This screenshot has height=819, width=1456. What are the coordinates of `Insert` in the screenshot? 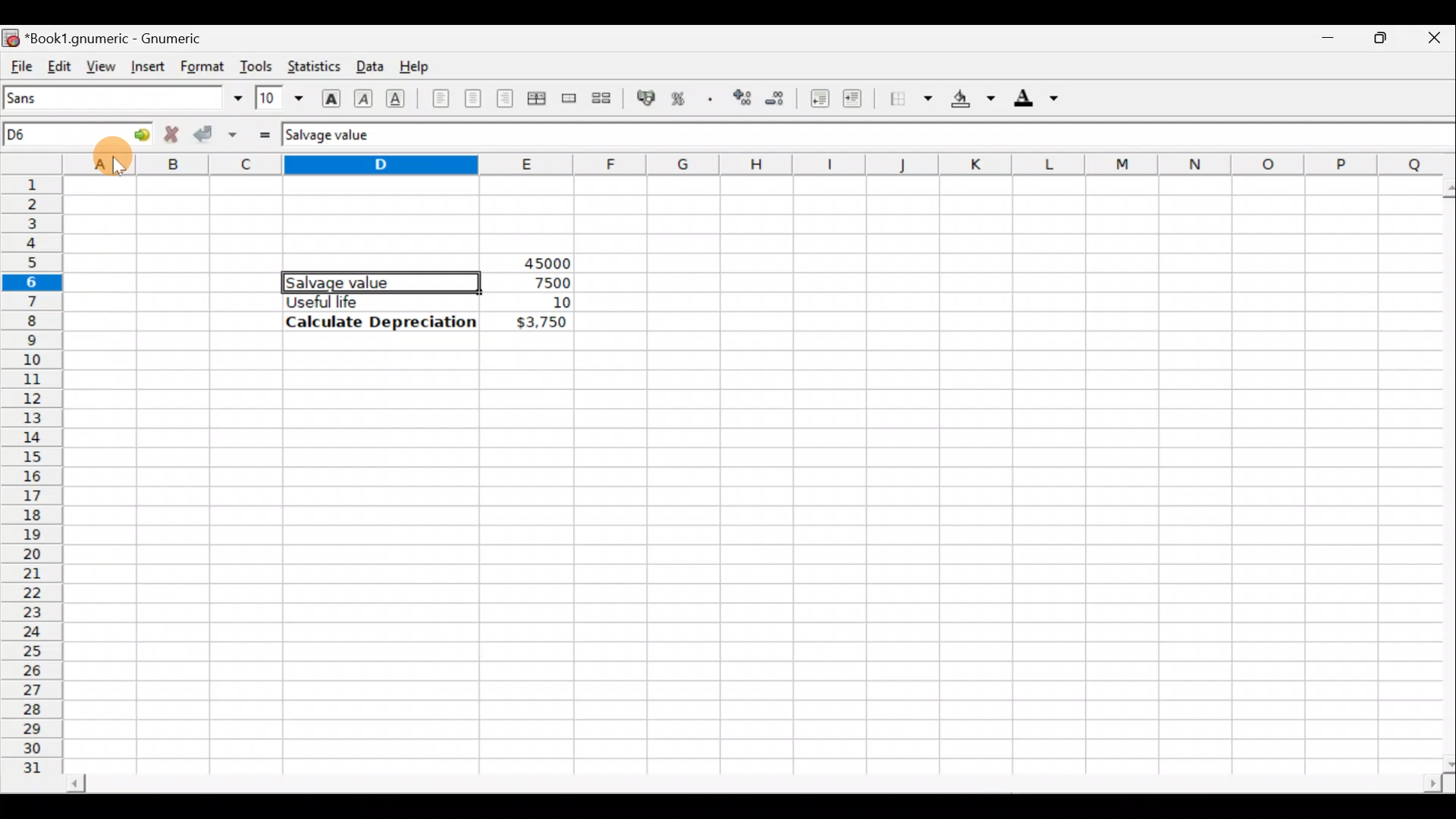 It's located at (147, 67).